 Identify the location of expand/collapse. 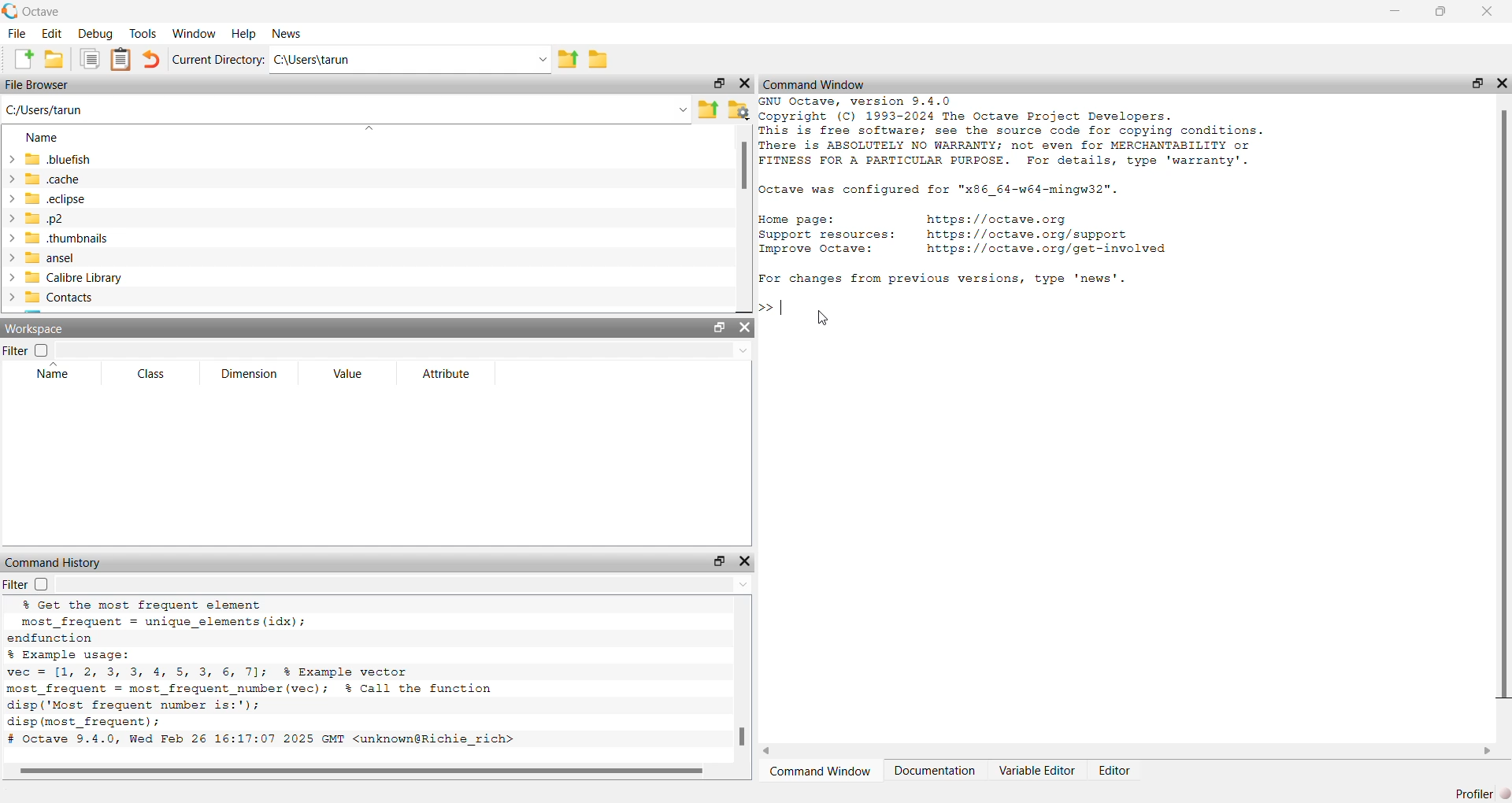
(9, 257).